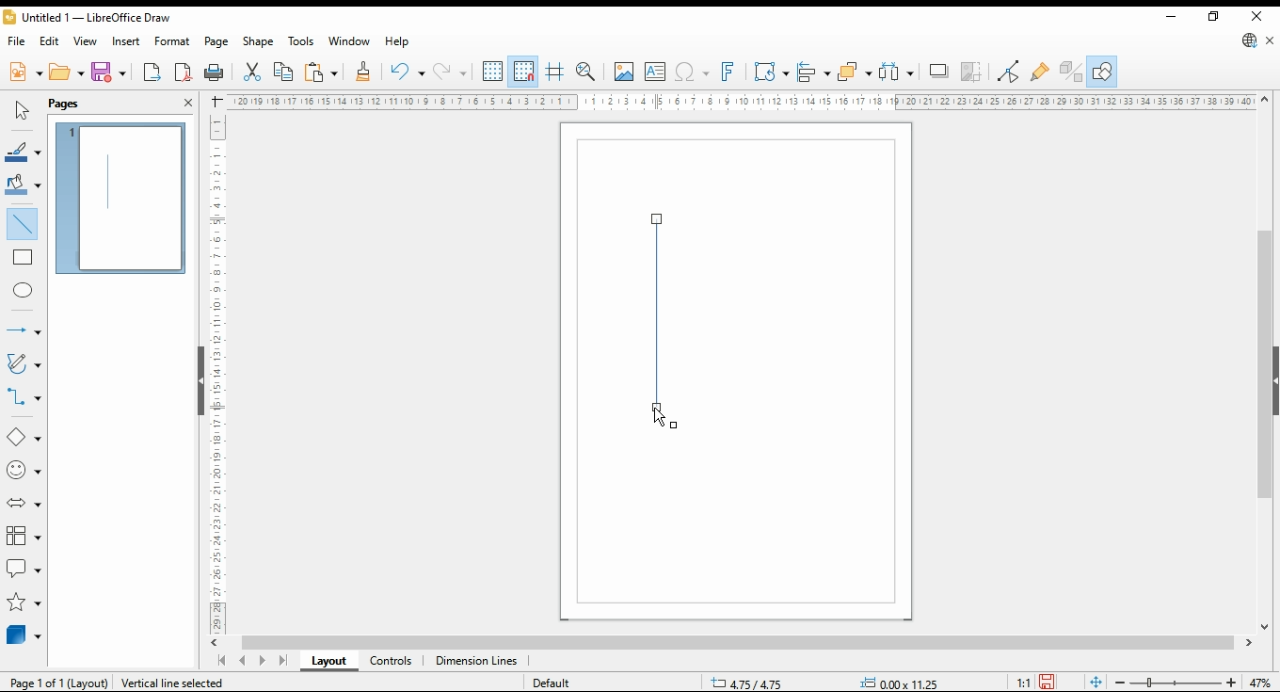  What do you see at coordinates (224, 369) in the screenshot?
I see `vertical scale` at bounding box center [224, 369].